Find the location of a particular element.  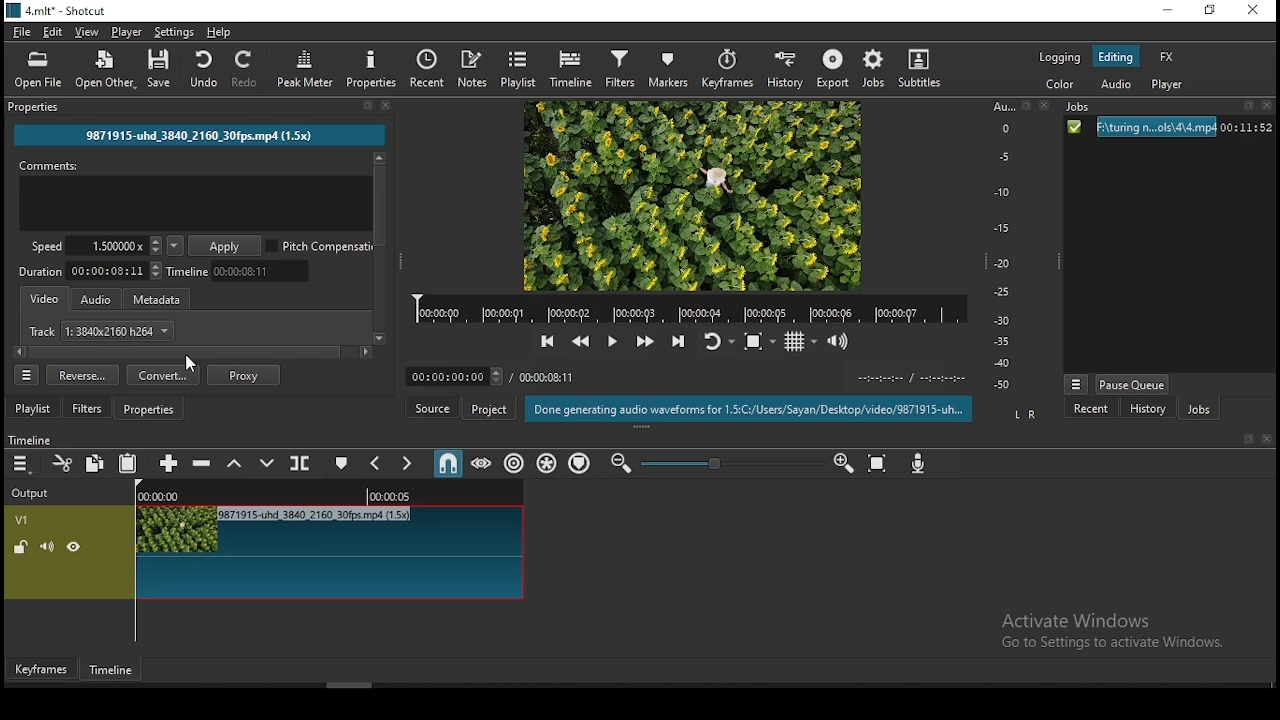

keyframes is located at coordinates (42, 671).